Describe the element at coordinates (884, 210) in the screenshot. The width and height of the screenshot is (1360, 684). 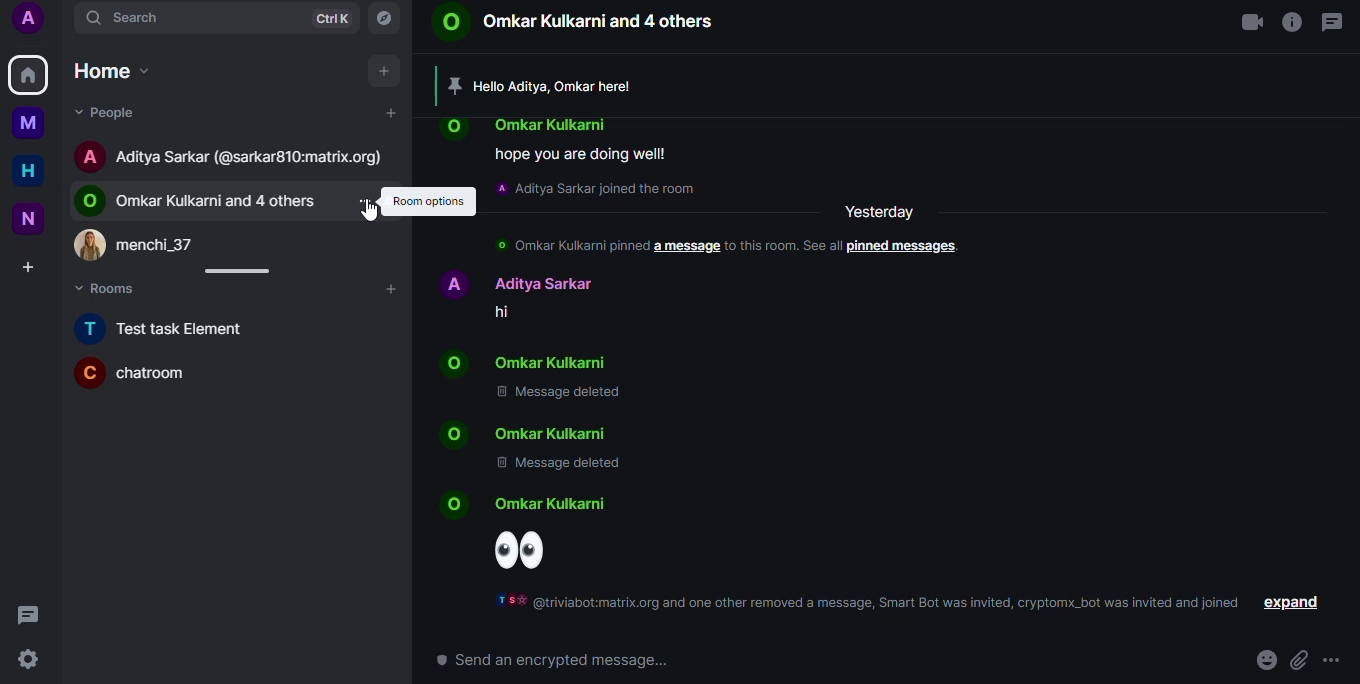
I see `Yesterday` at that location.